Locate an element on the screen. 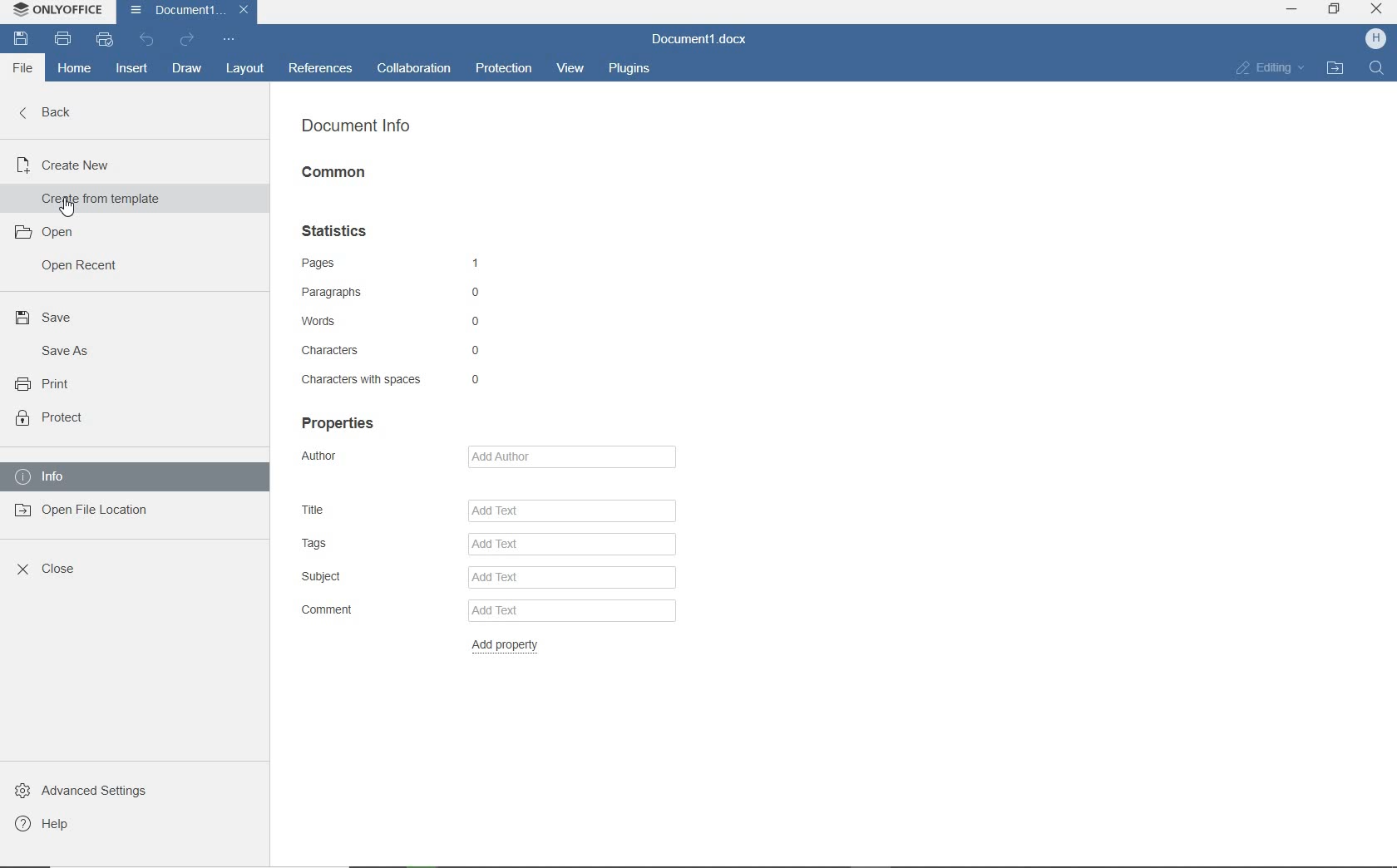 This screenshot has height=868, width=1397. tags is located at coordinates (491, 543).